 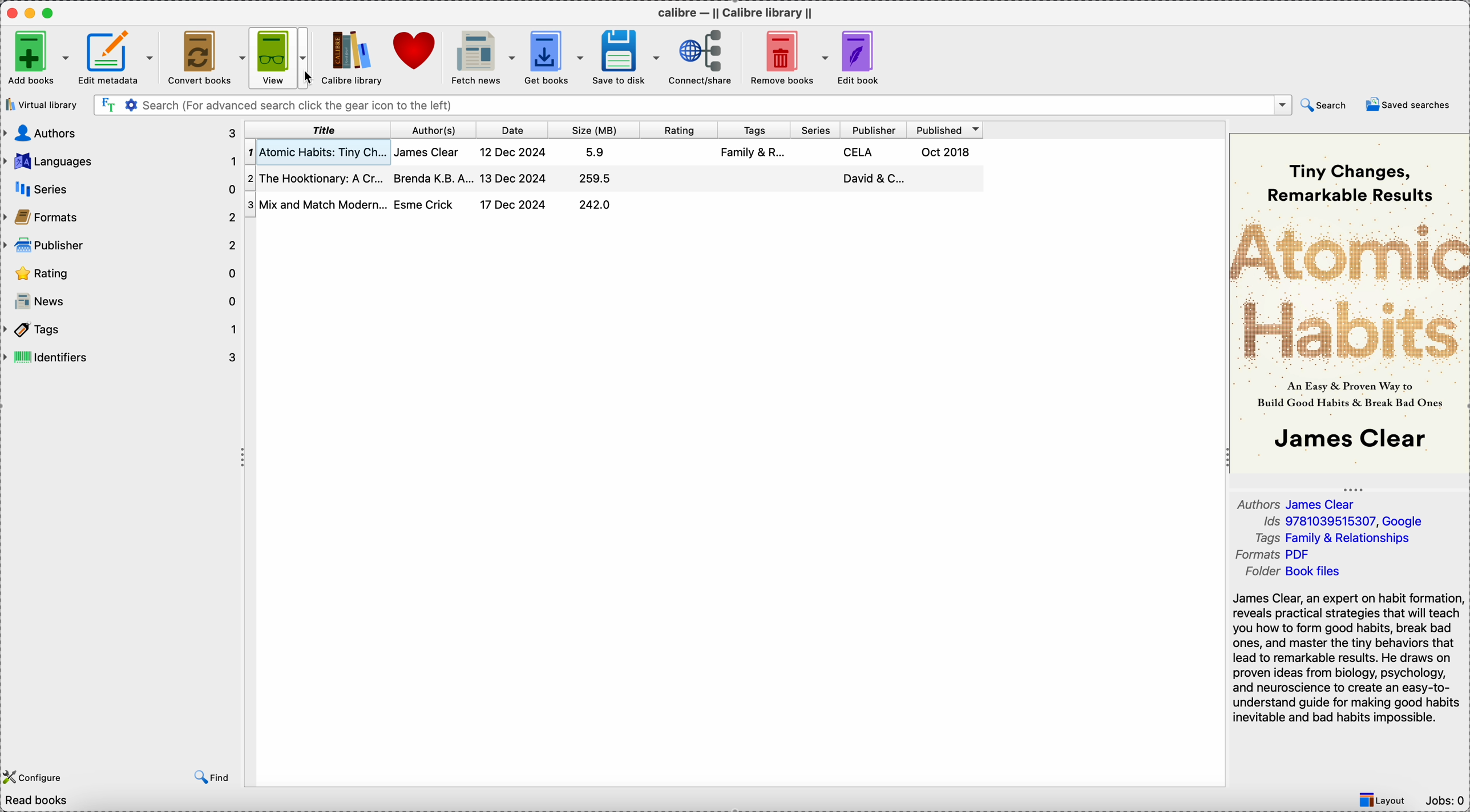 I want to click on Mix and Match Modern..., so click(x=316, y=203).